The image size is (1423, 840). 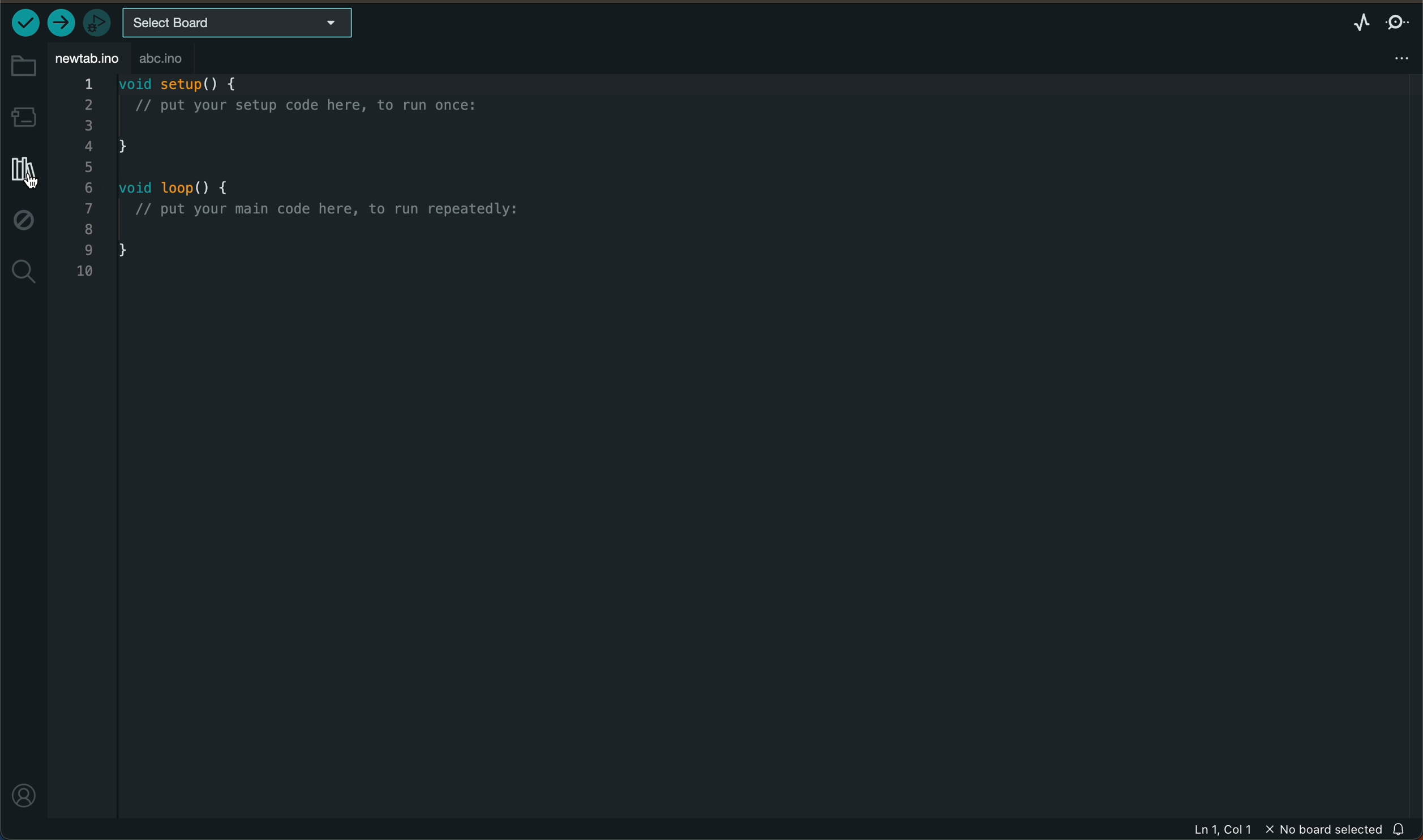 I want to click on select board, so click(x=238, y=24).